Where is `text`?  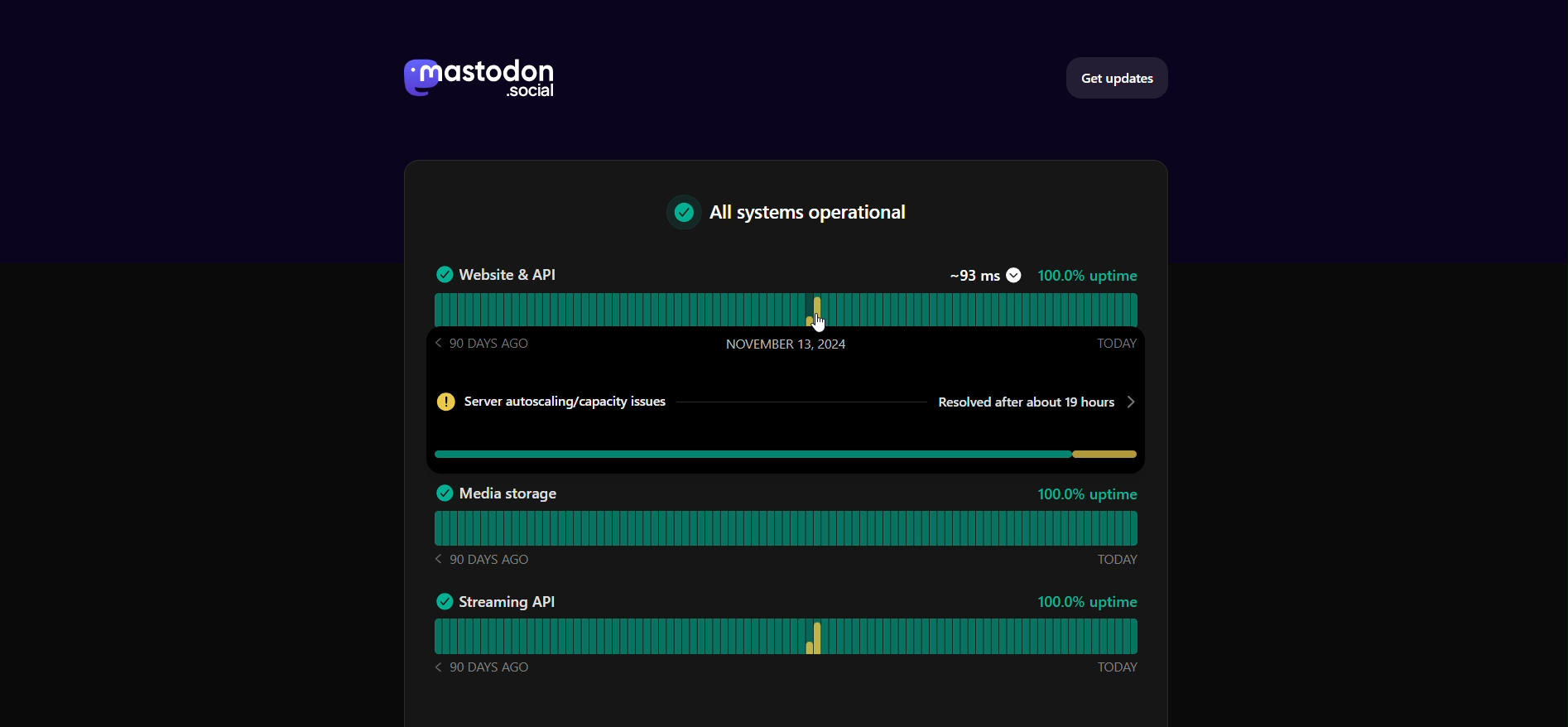 text is located at coordinates (800, 214).